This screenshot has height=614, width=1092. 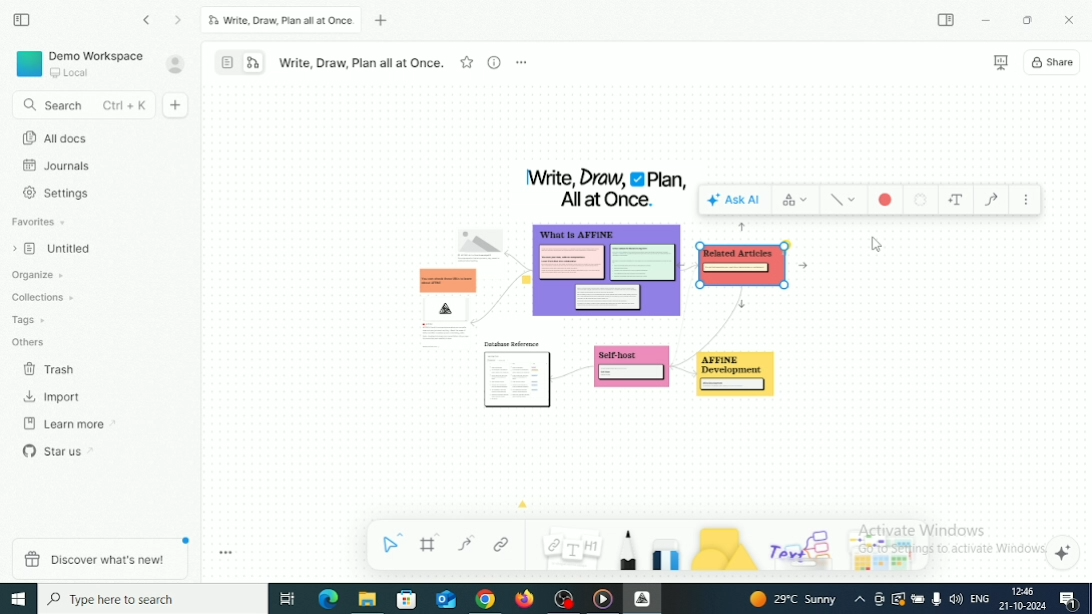 I want to click on Microsoft Edge, so click(x=328, y=598).